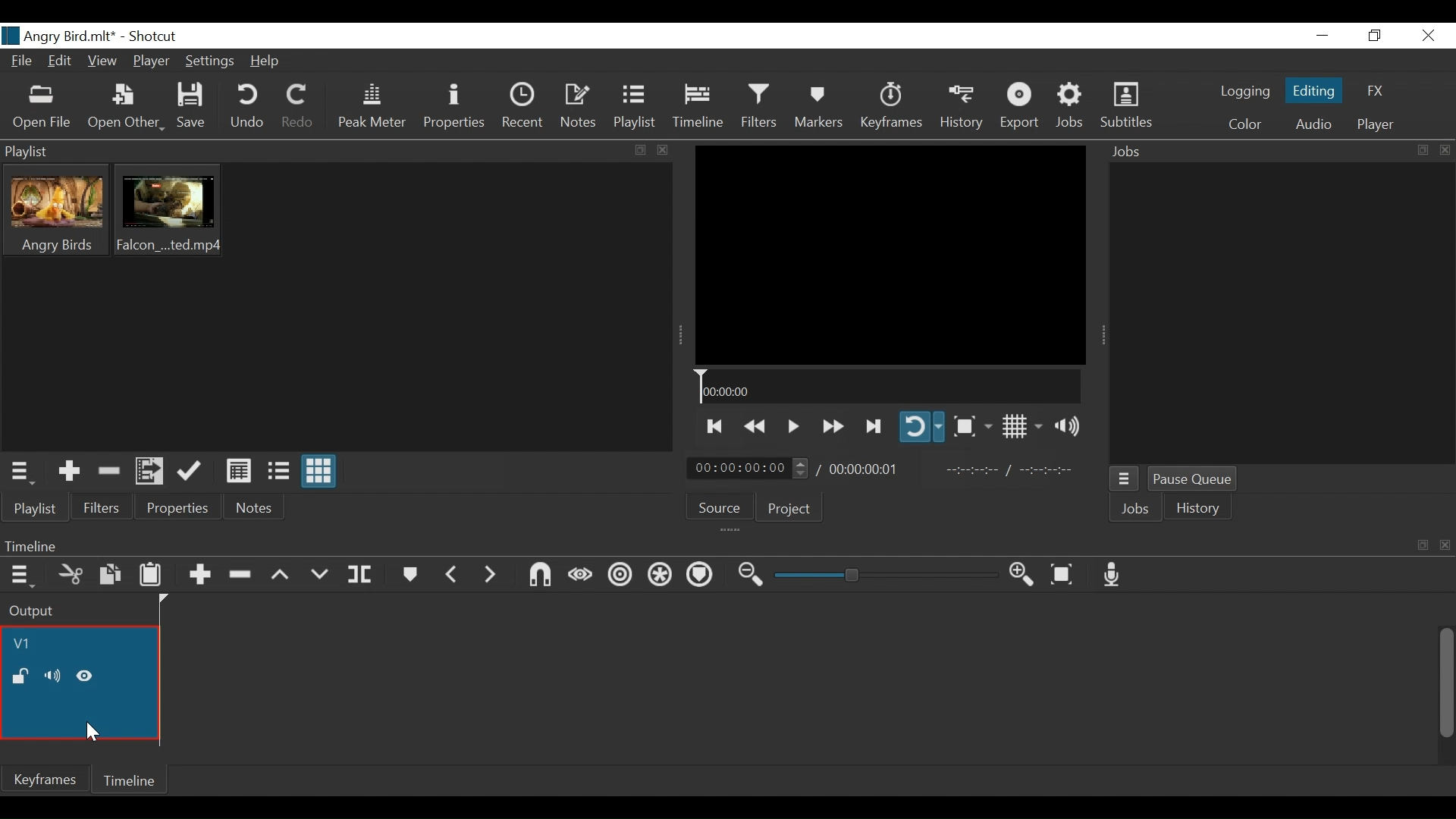 The width and height of the screenshot is (1456, 819). I want to click on , so click(453, 107).